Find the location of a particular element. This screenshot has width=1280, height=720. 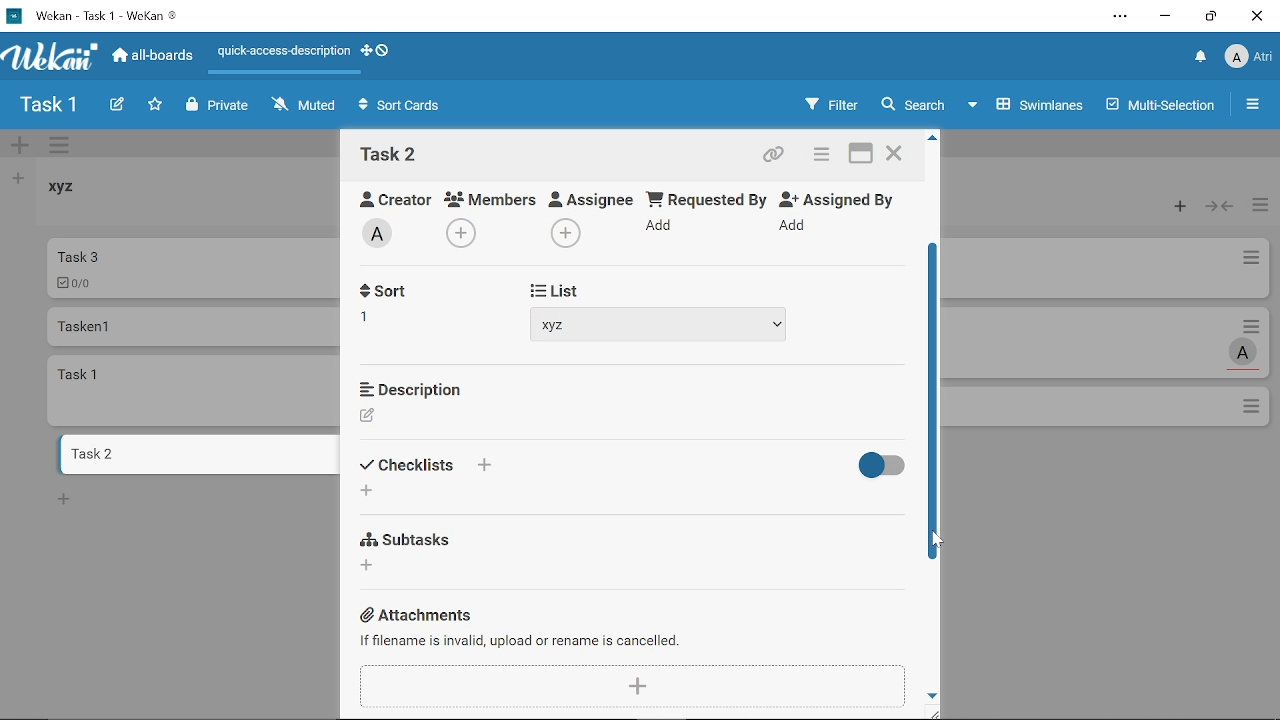

Add is located at coordinates (633, 687).